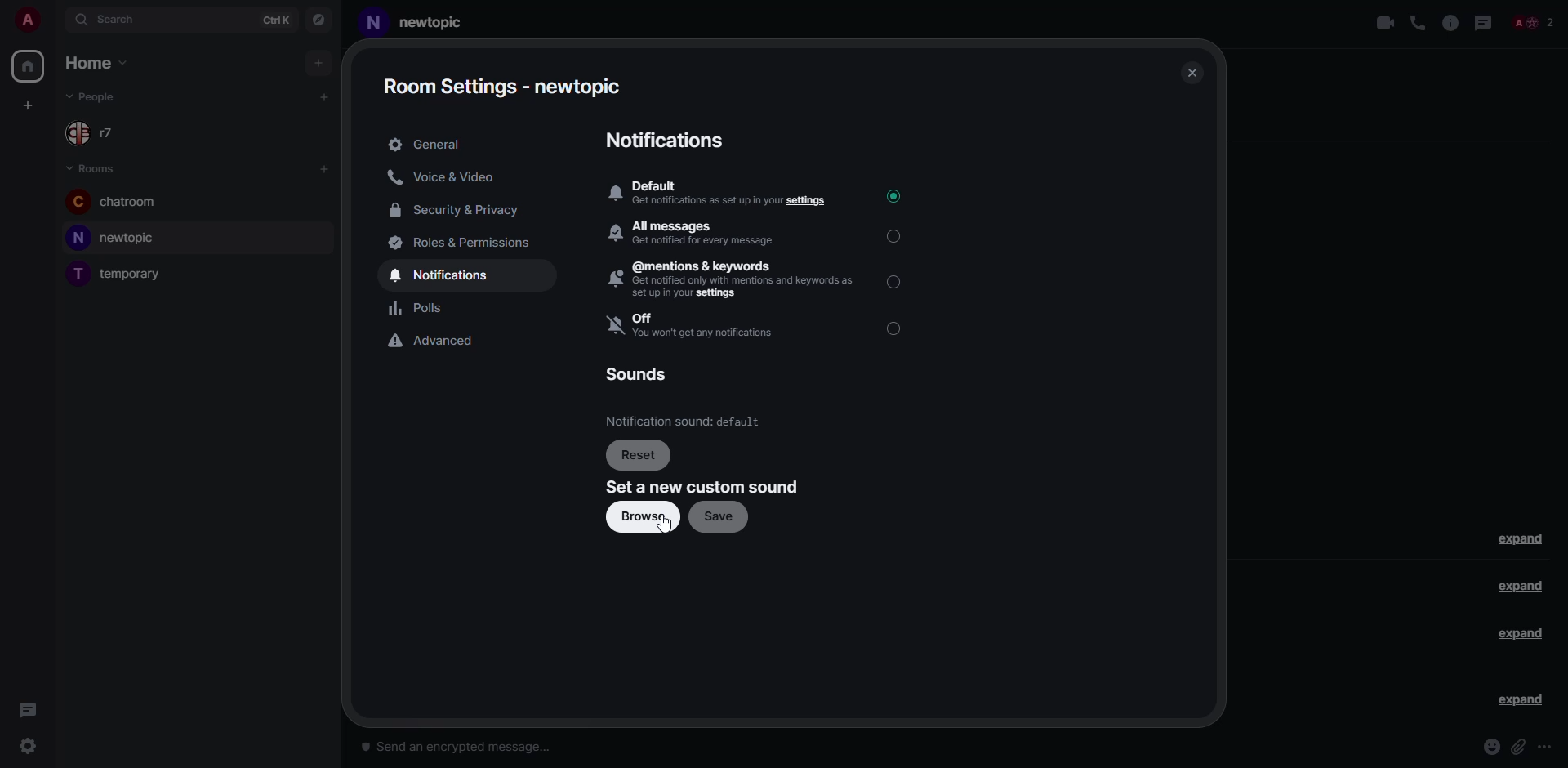 The height and width of the screenshot is (768, 1568). I want to click on browse, so click(641, 516).